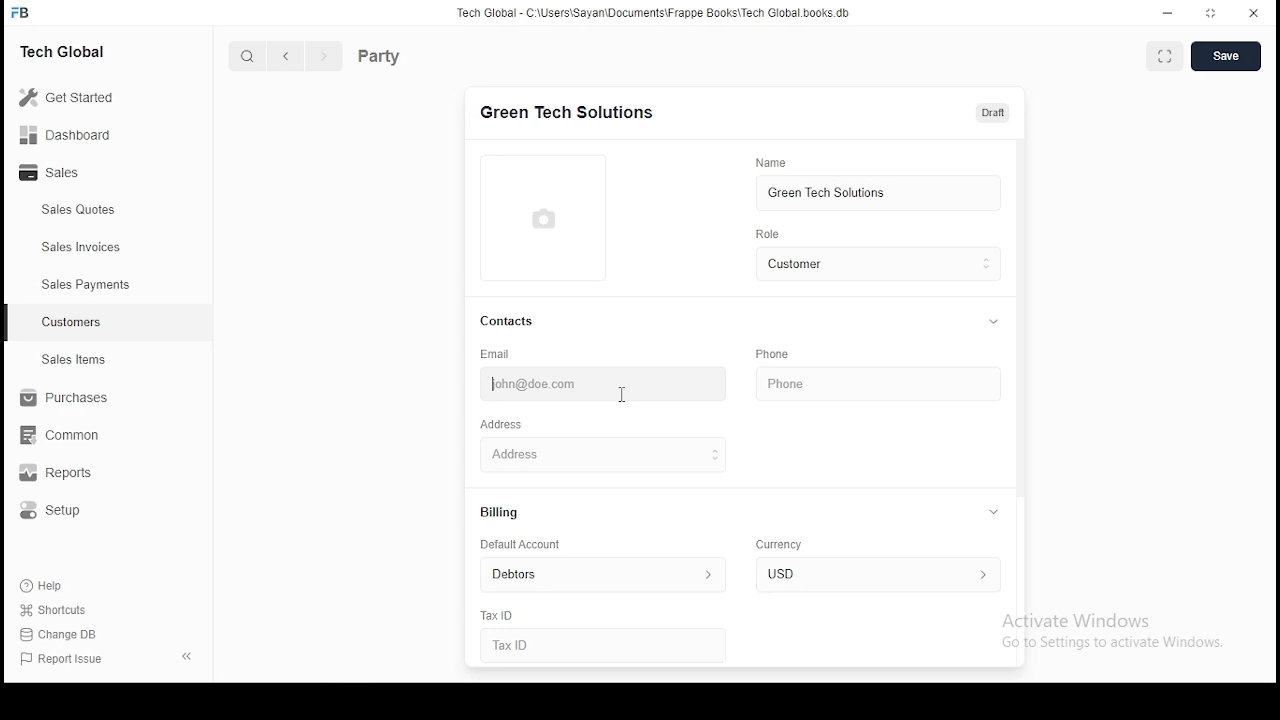 Image resolution: width=1280 pixels, height=720 pixels. What do you see at coordinates (67, 50) in the screenshot?
I see `tech global` at bounding box center [67, 50].